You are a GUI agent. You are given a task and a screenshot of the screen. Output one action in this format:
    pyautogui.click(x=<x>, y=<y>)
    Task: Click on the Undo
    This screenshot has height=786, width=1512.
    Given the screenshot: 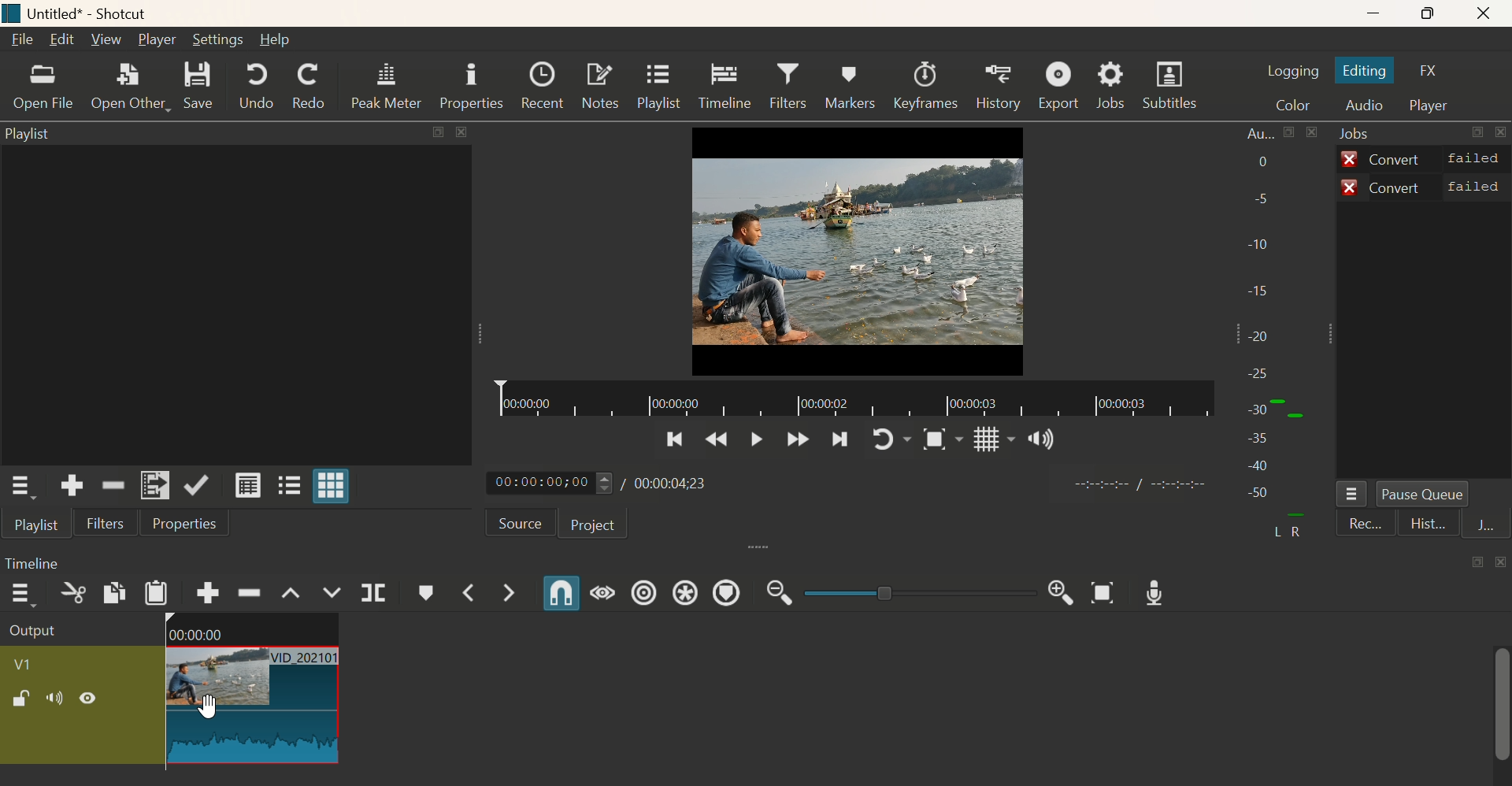 What is the action you would take?
    pyautogui.click(x=257, y=86)
    